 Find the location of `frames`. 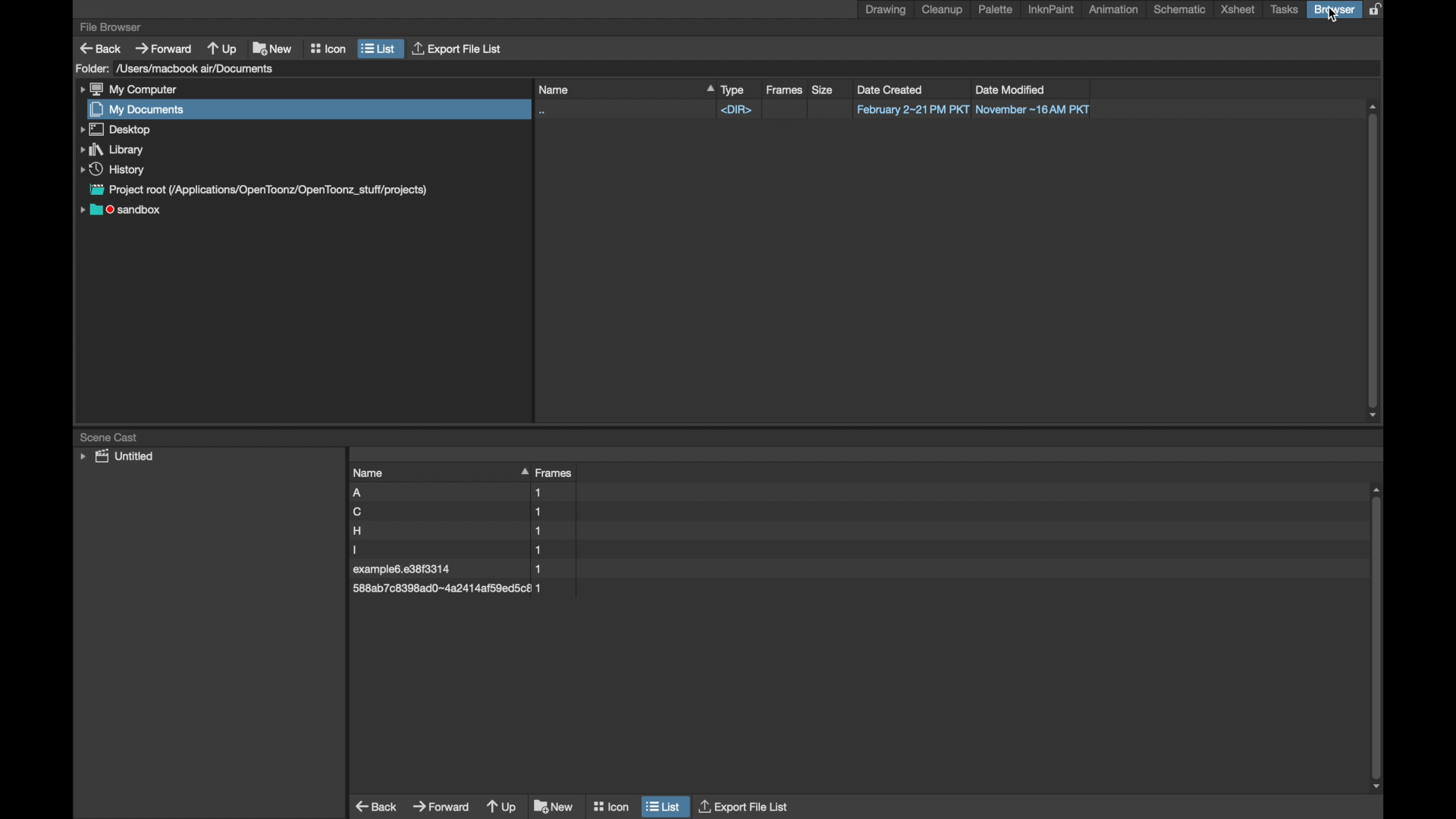

frames is located at coordinates (784, 89).